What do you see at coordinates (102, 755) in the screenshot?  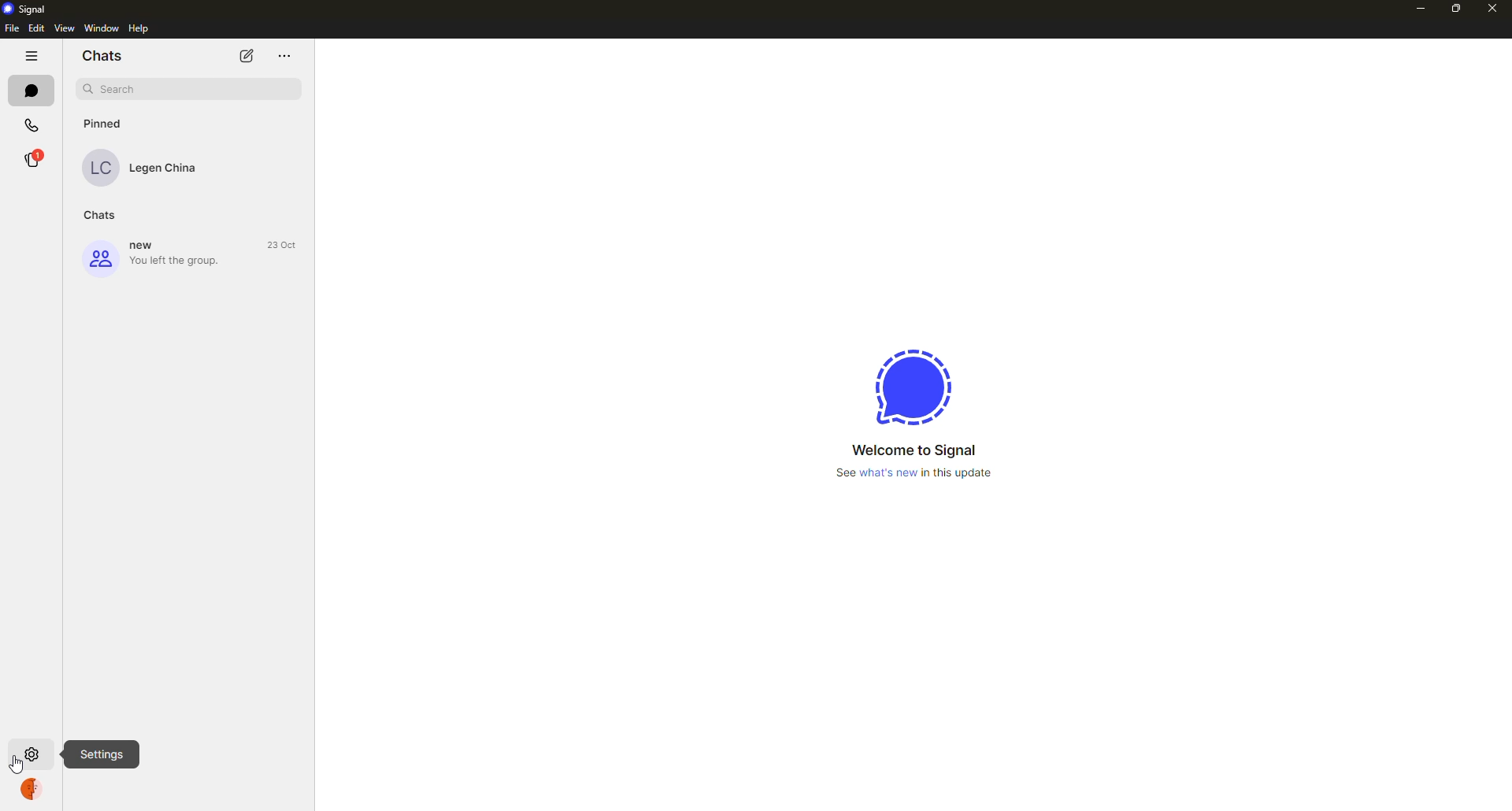 I see `Settings` at bounding box center [102, 755].